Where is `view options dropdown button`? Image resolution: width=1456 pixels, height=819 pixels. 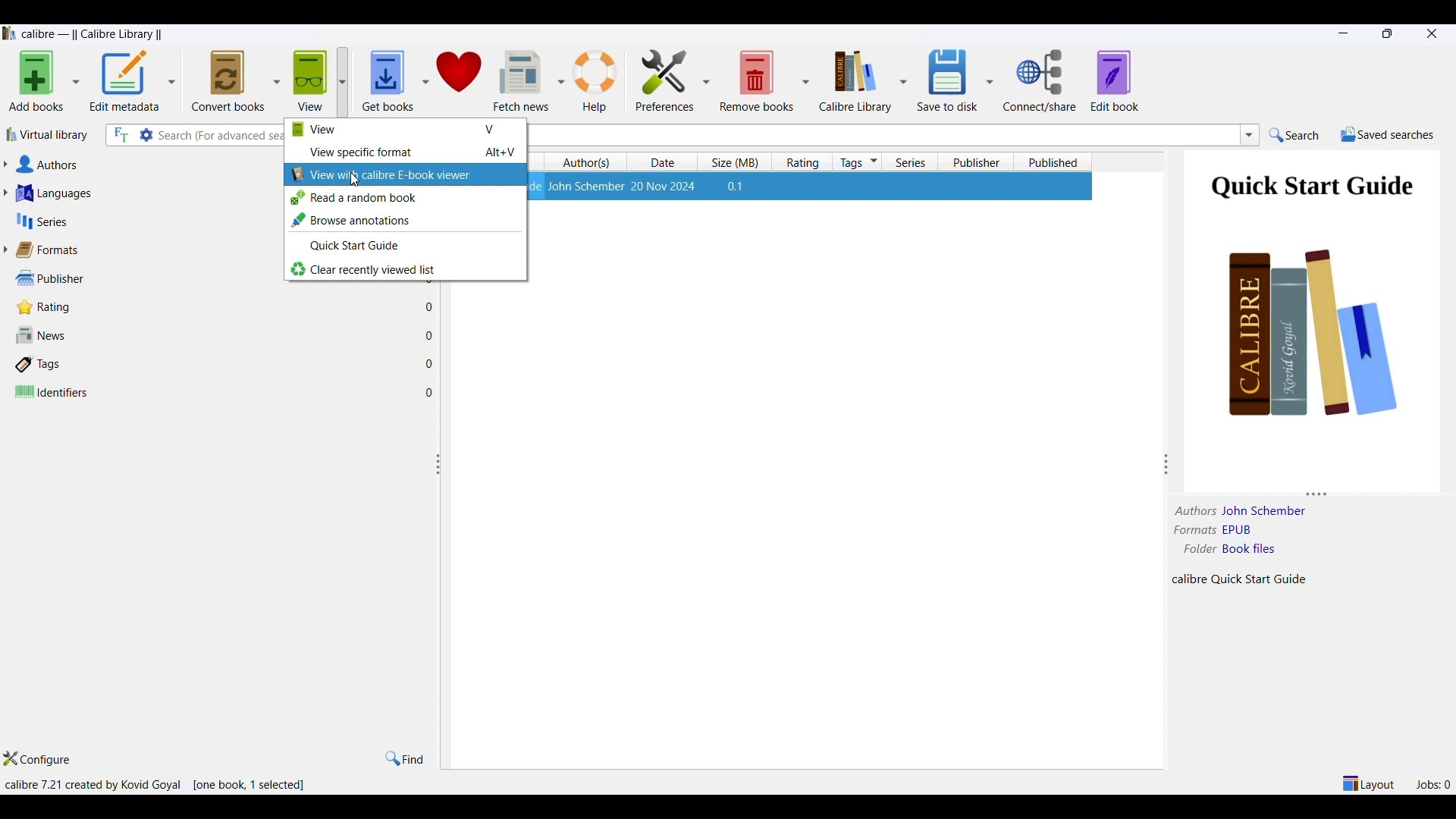
view options dropdown button is located at coordinates (347, 80).